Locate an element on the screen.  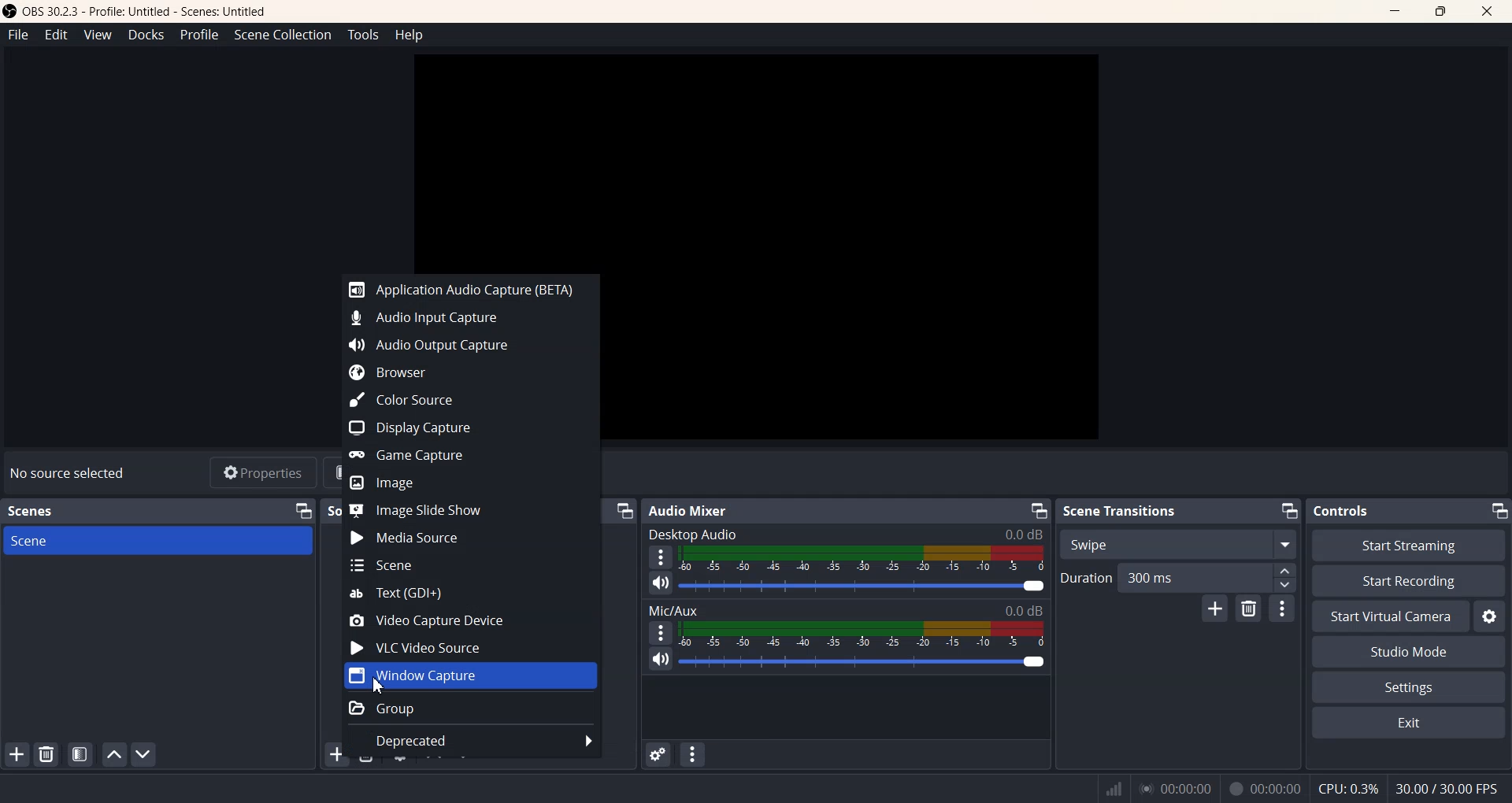
File is located at coordinates (18, 35).